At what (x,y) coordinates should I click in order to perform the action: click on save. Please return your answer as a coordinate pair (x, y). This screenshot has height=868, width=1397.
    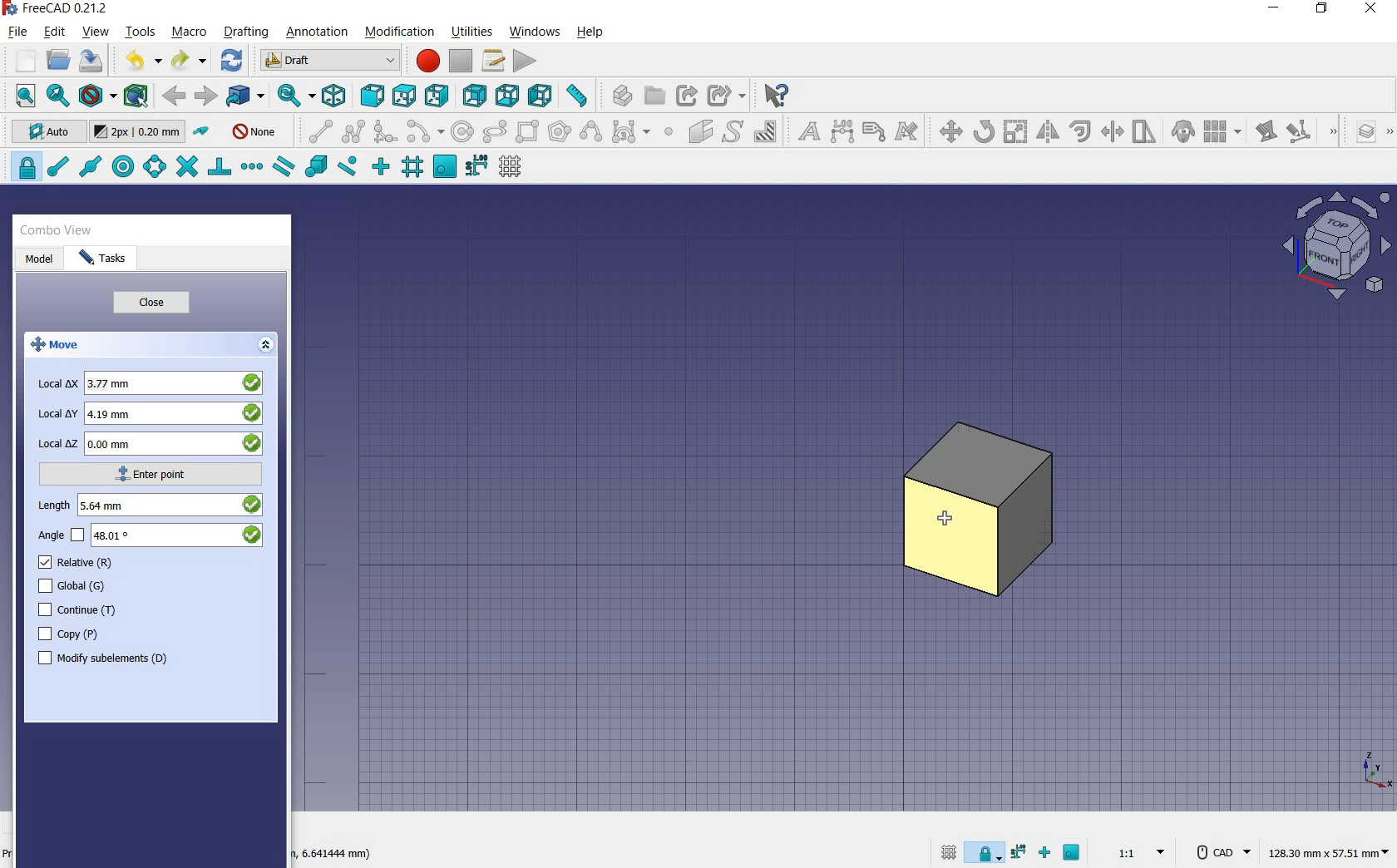
    Looking at the image, I should click on (91, 62).